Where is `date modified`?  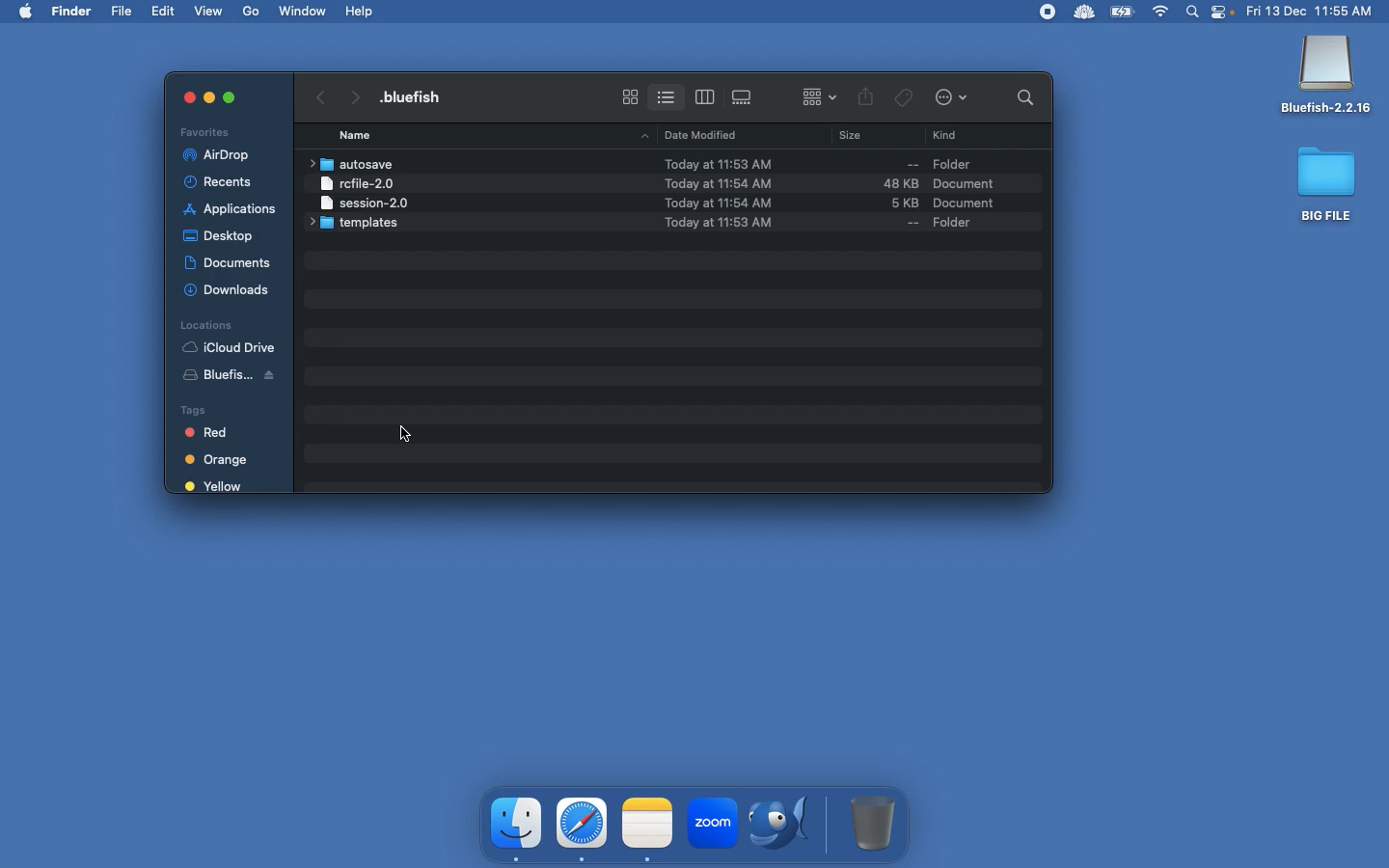
date modified is located at coordinates (703, 191).